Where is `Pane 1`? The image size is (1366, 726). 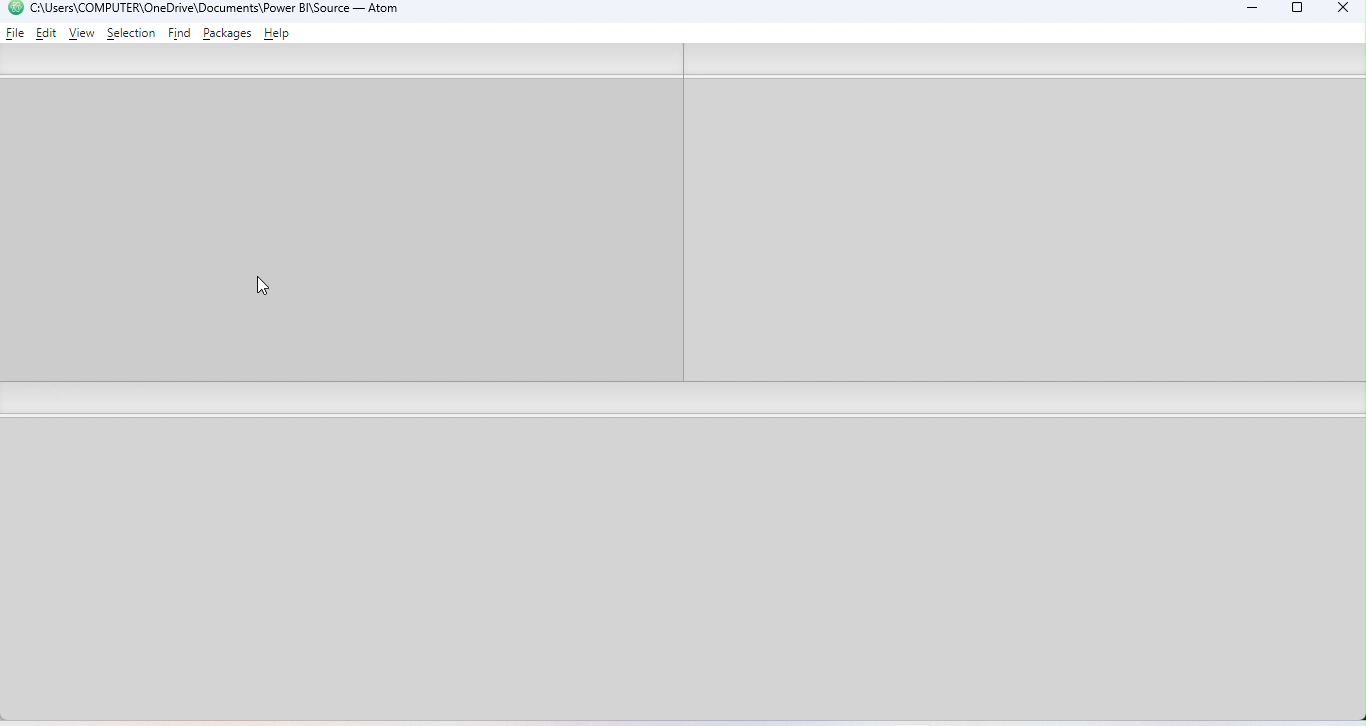 Pane 1 is located at coordinates (338, 231).